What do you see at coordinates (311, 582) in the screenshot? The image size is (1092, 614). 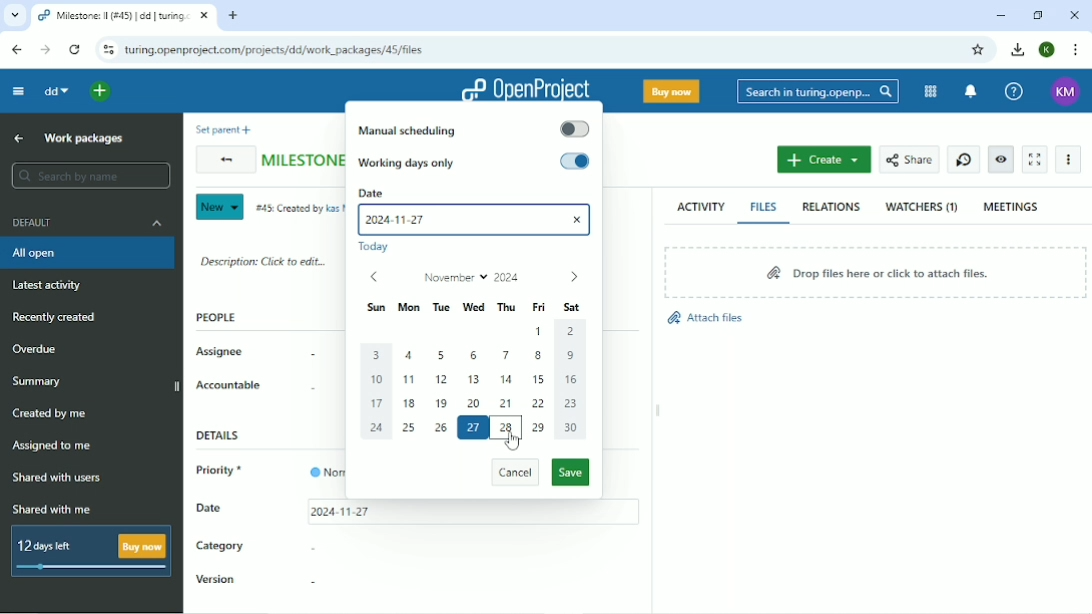 I see `-` at bounding box center [311, 582].